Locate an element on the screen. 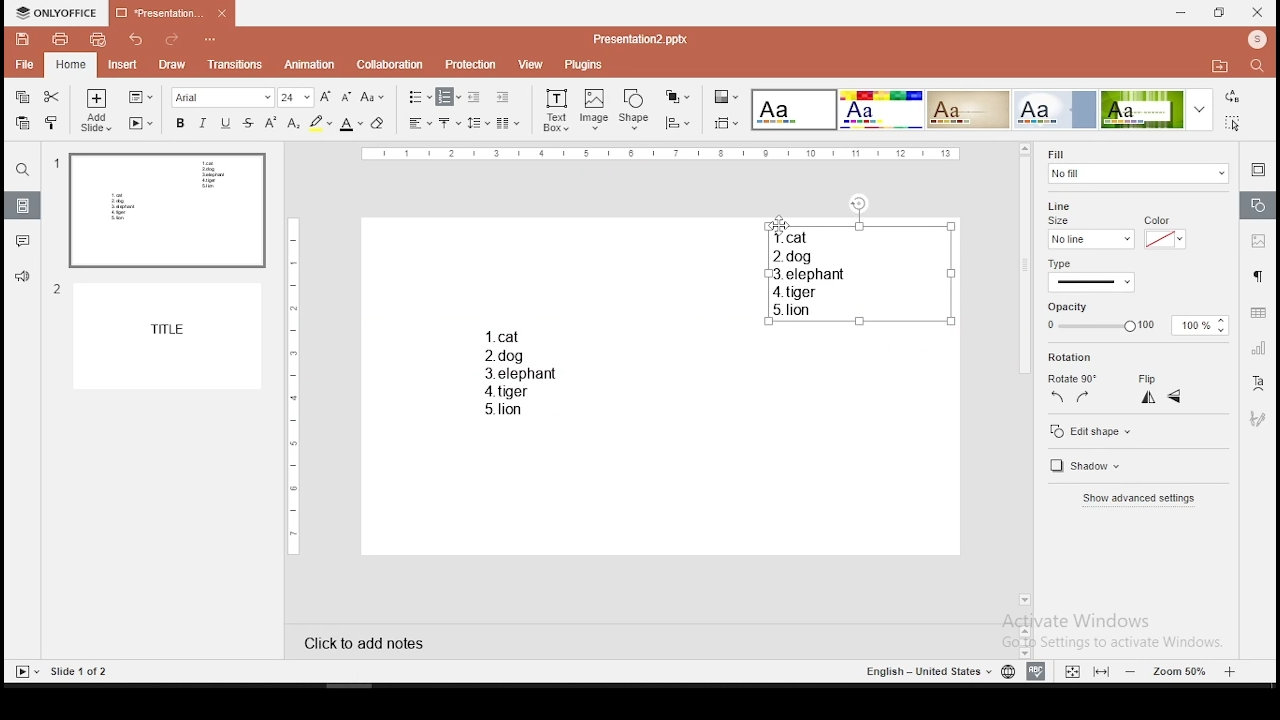 The height and width of the screenshot is (720, 1280). home is located at coordinates (72, 64).